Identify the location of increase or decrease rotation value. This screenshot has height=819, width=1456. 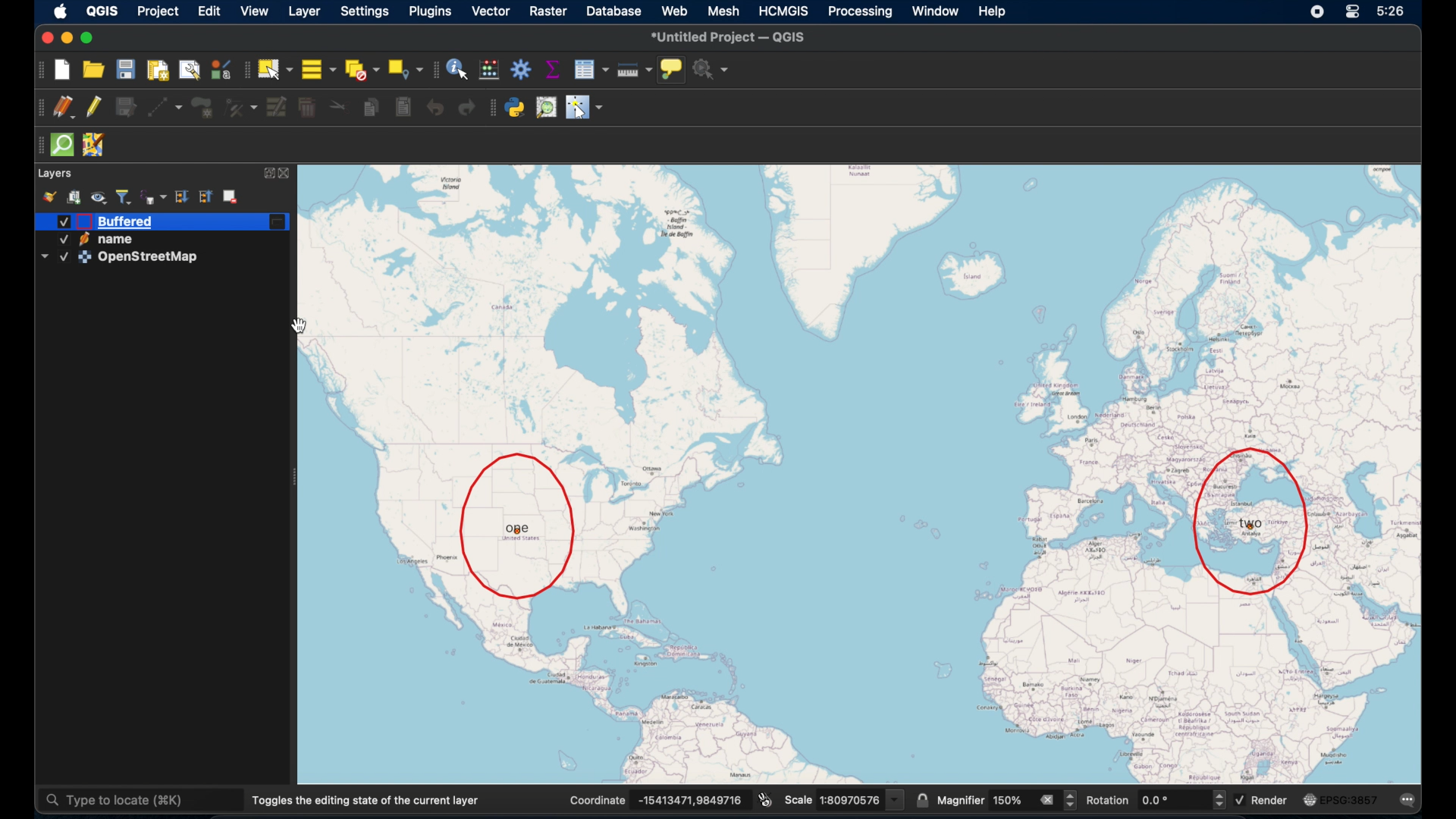
(1219, 800).